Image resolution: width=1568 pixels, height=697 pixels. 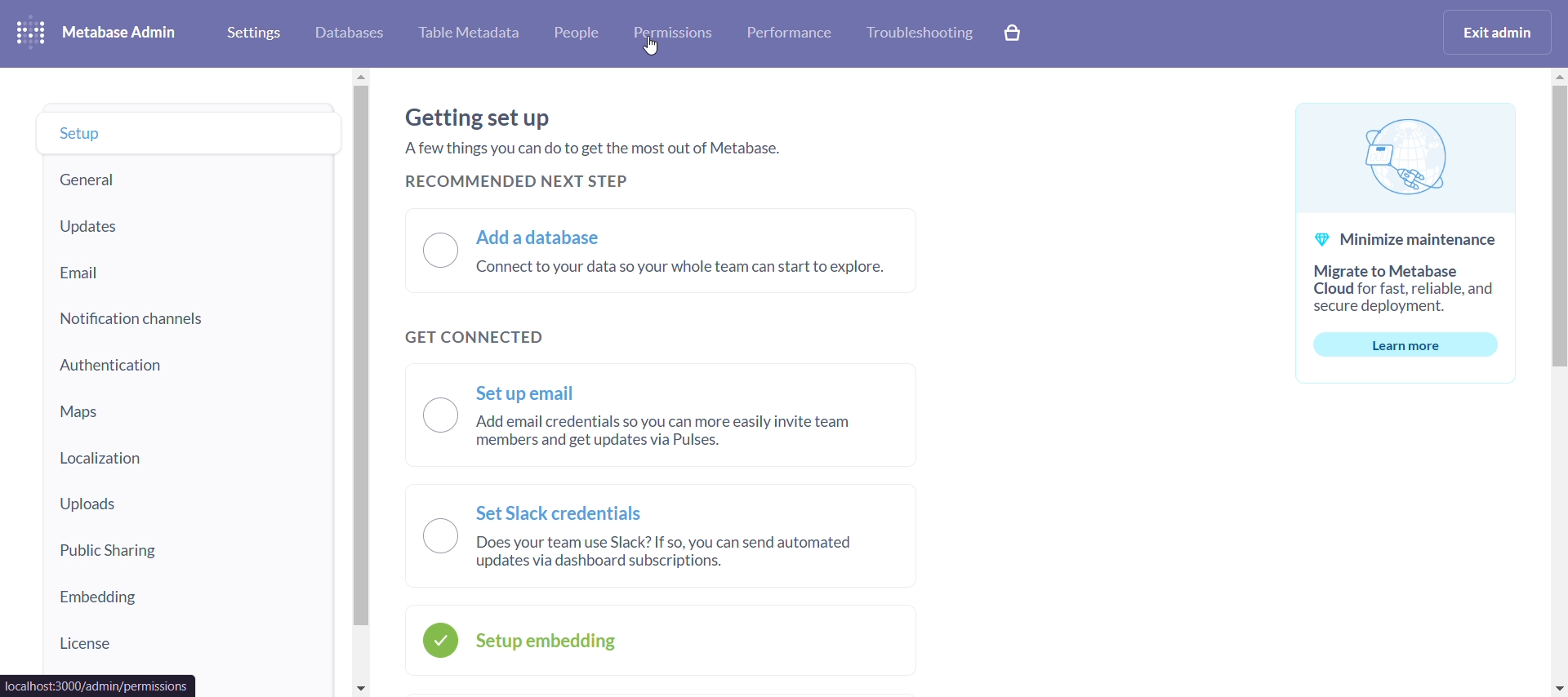 I want to click on uploads, so click(x=185, y=502).